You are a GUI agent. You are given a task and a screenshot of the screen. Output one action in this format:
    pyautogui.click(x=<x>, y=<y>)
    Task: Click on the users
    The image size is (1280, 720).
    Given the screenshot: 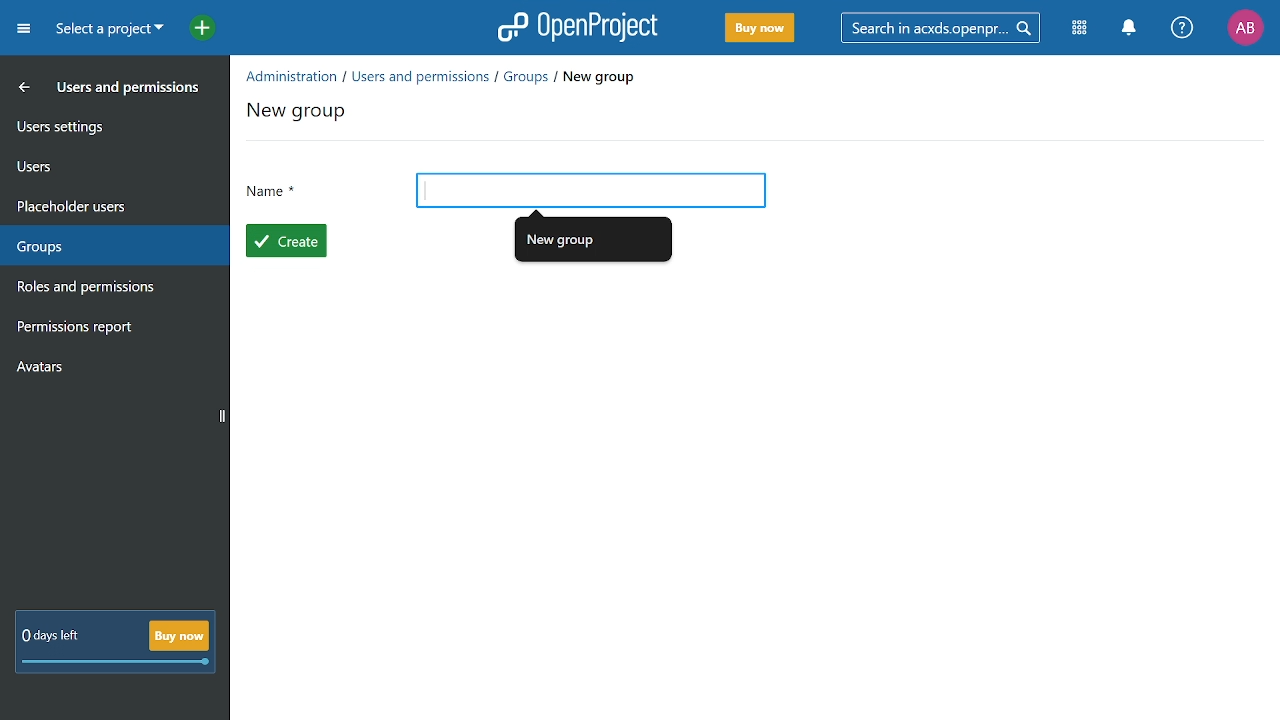 What is the action you would take?
    pyautogui.click(x=103, y=165)
    